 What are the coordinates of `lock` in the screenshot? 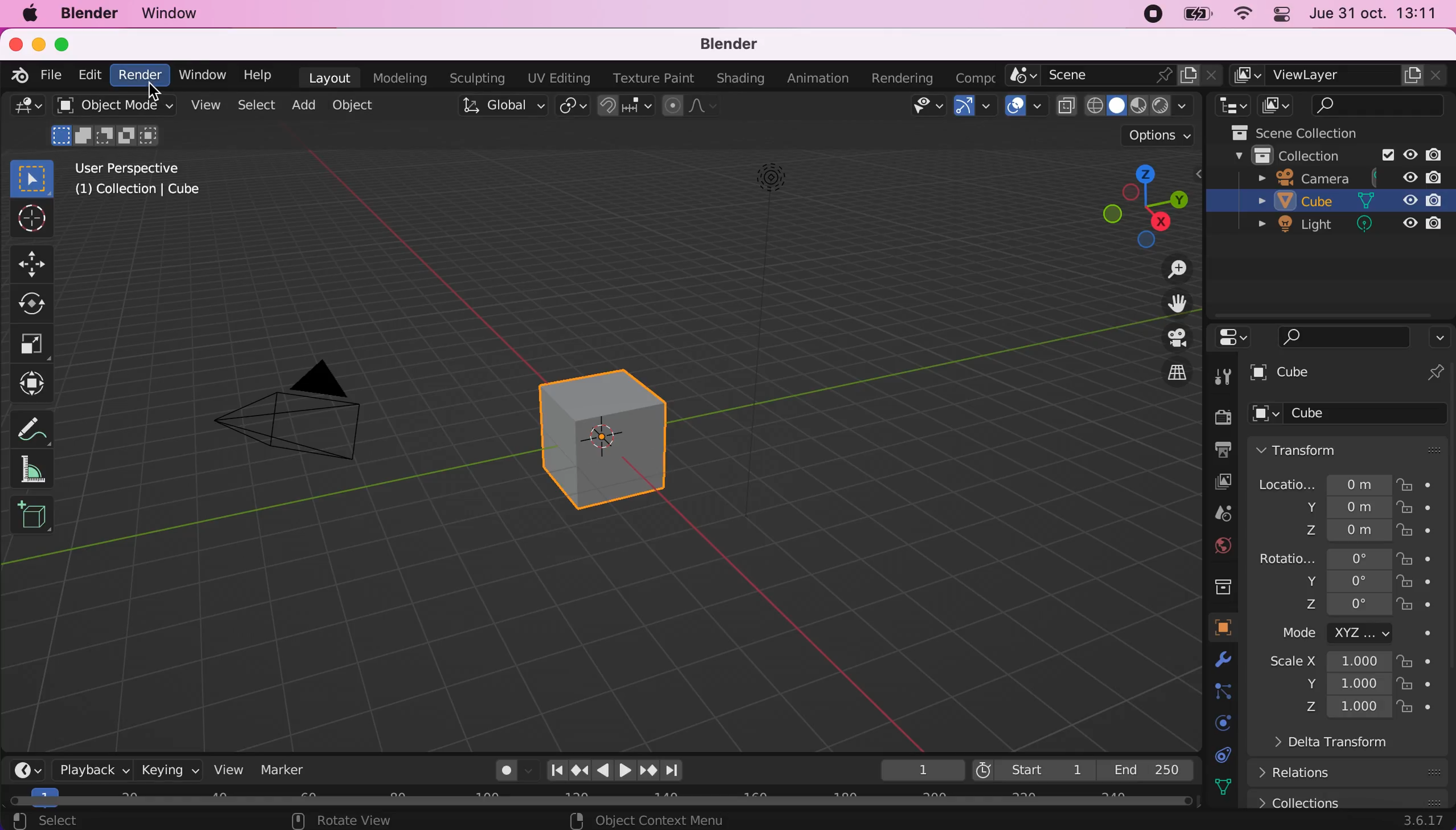 It's located at (1417, 607).